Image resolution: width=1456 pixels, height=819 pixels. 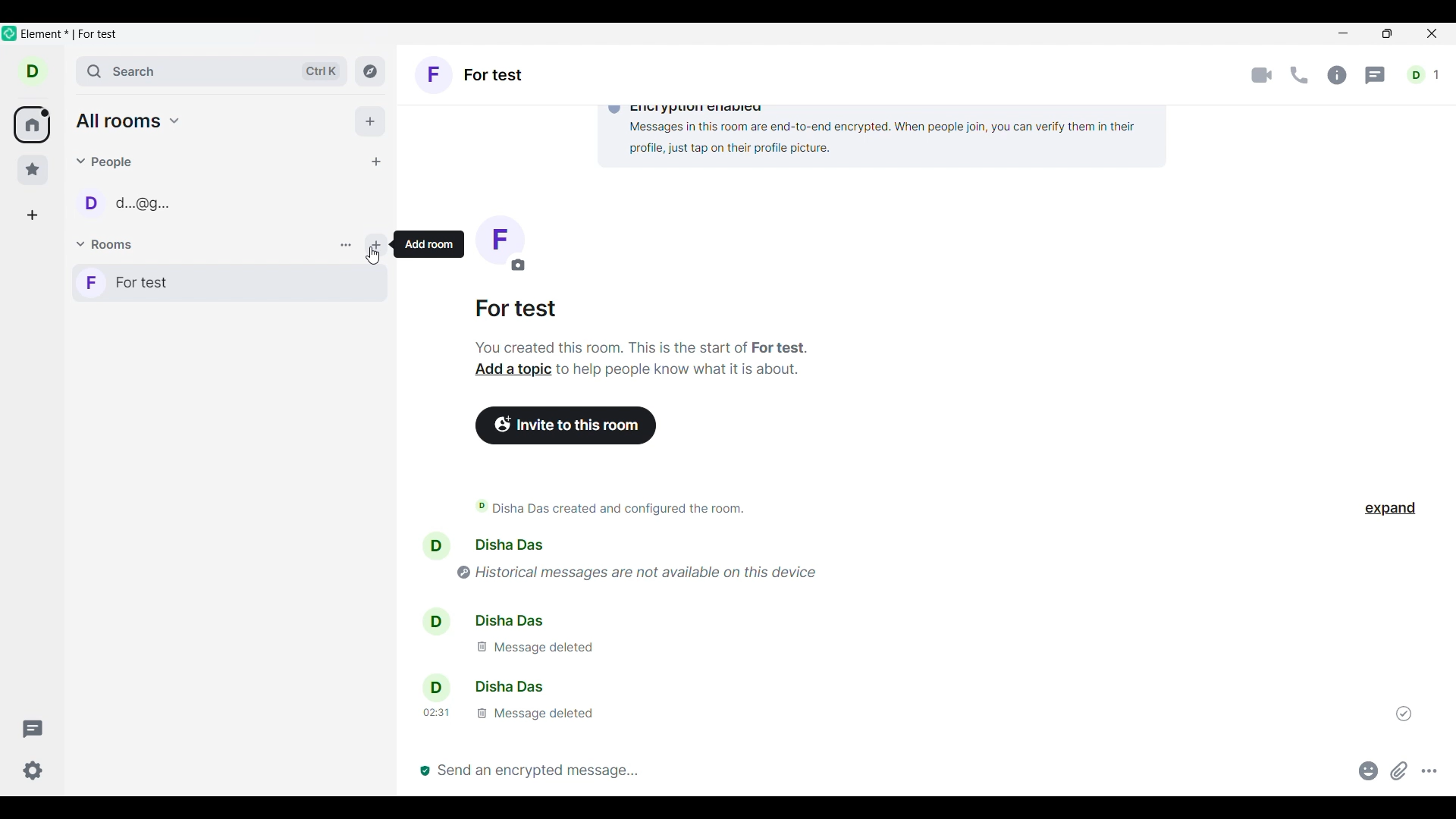 What do you see at coordinates (371, 121) in the screenshot?
I see `Add` at bounding box center [371, 121].